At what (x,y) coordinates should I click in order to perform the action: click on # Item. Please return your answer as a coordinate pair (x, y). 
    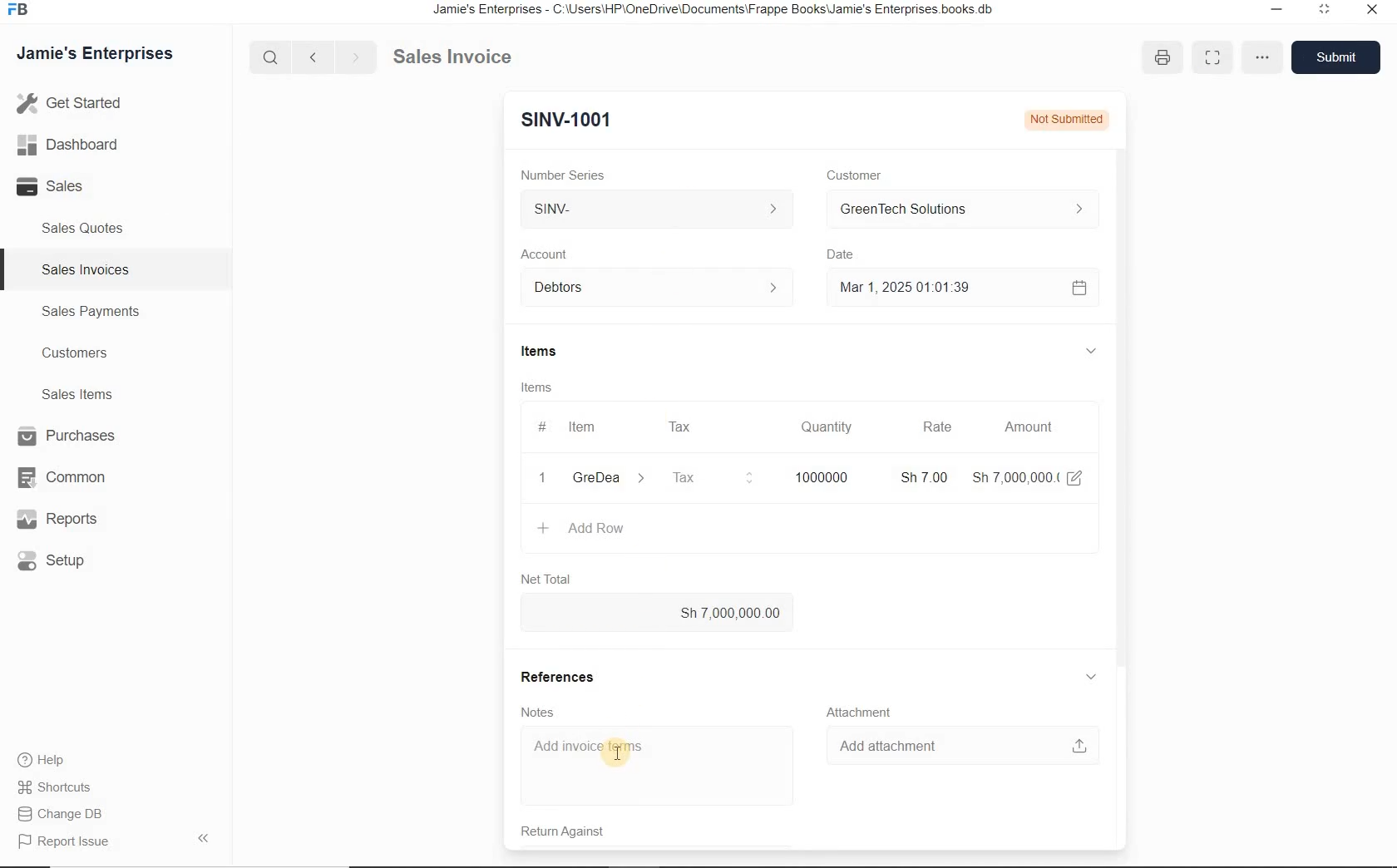
    Looking at the image, I should click on (578, 429).